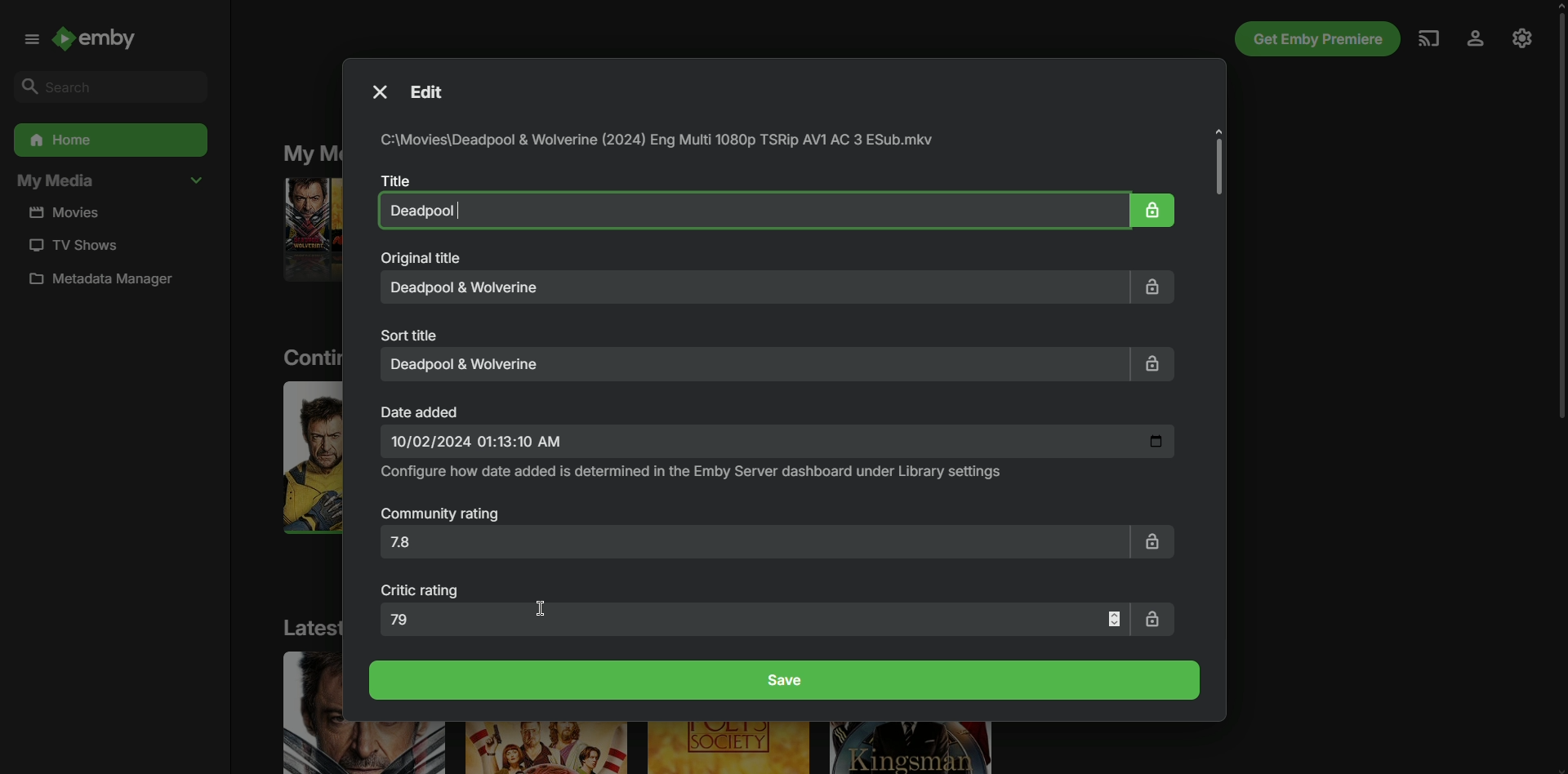 The height and width of the screenshot is (774, 1568). Describe the element at coordinates (755, 619) in the screenshot. I see `79` at that location.